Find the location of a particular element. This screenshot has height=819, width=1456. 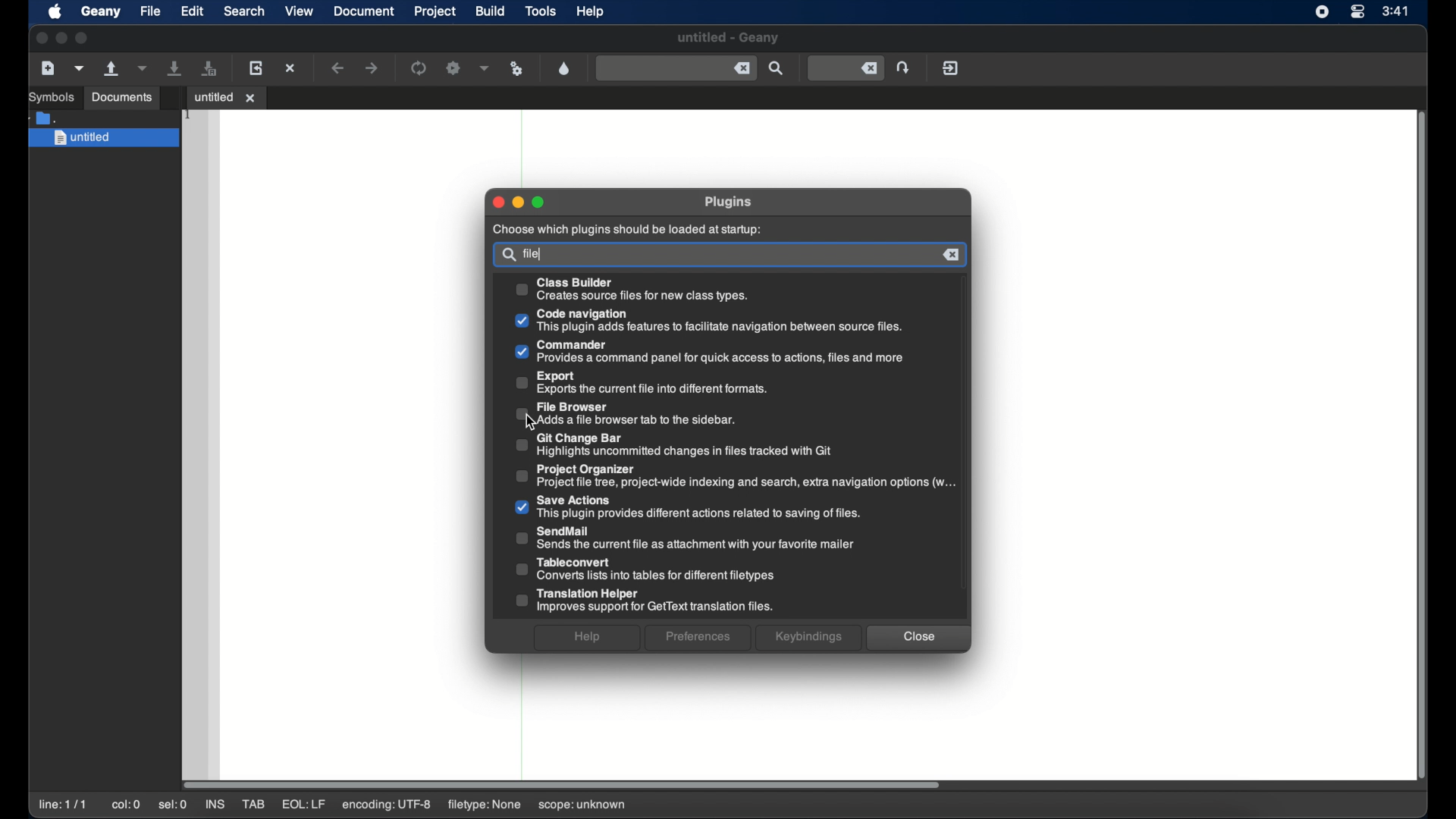

 is located at coordinates (699, 639).